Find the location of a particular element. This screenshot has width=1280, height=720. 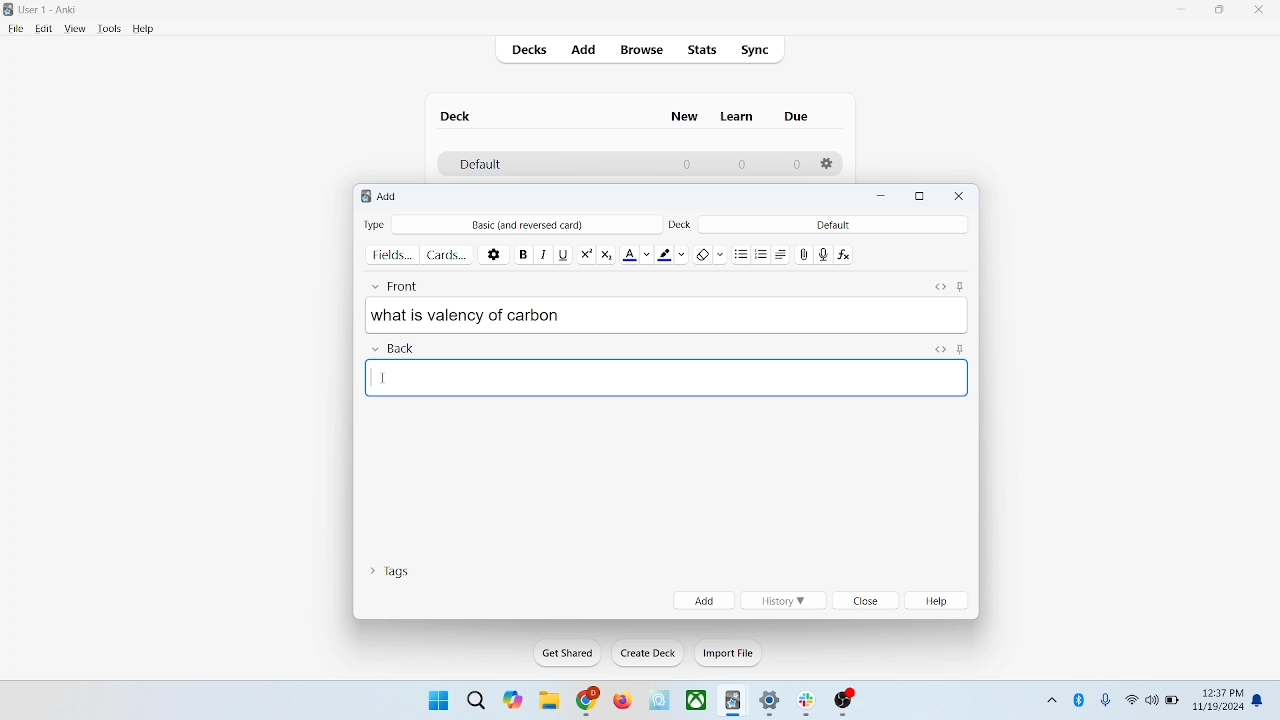

default is located at coordinates (479, 165).